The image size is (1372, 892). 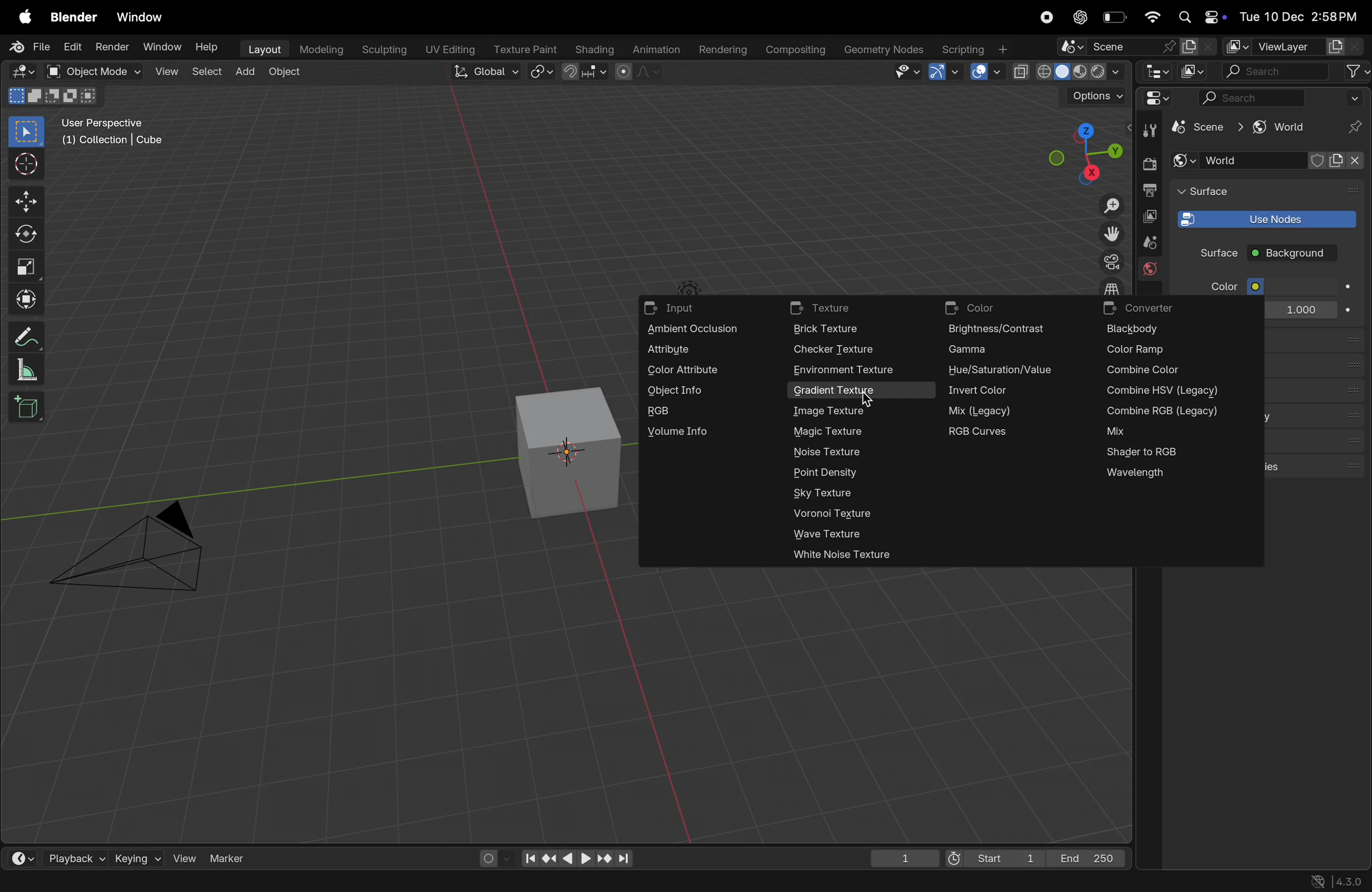 I want to click on view shading, so click(x=1067, y=73).